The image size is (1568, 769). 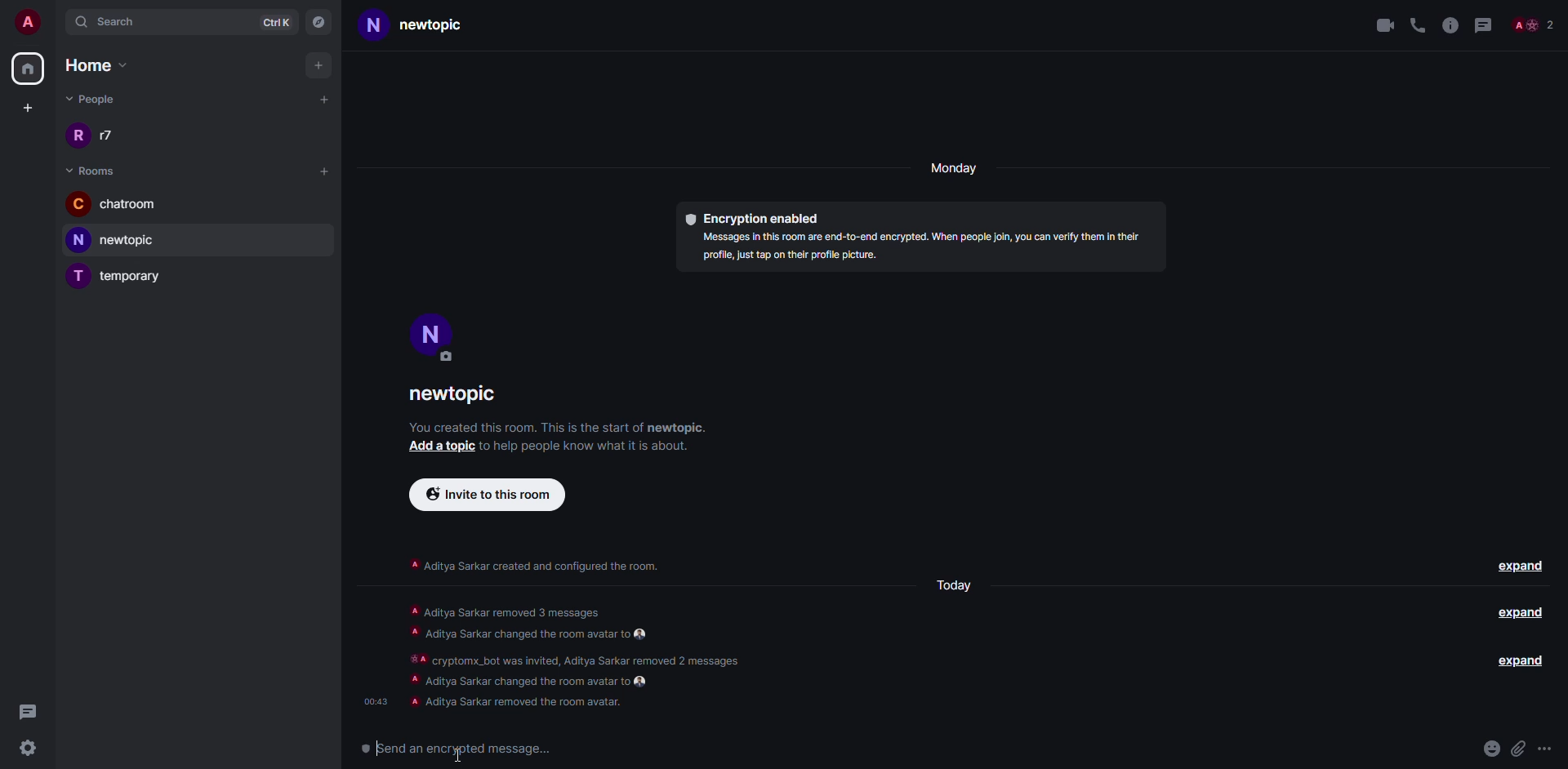 I want to click on day, so click(x=956, y=170).